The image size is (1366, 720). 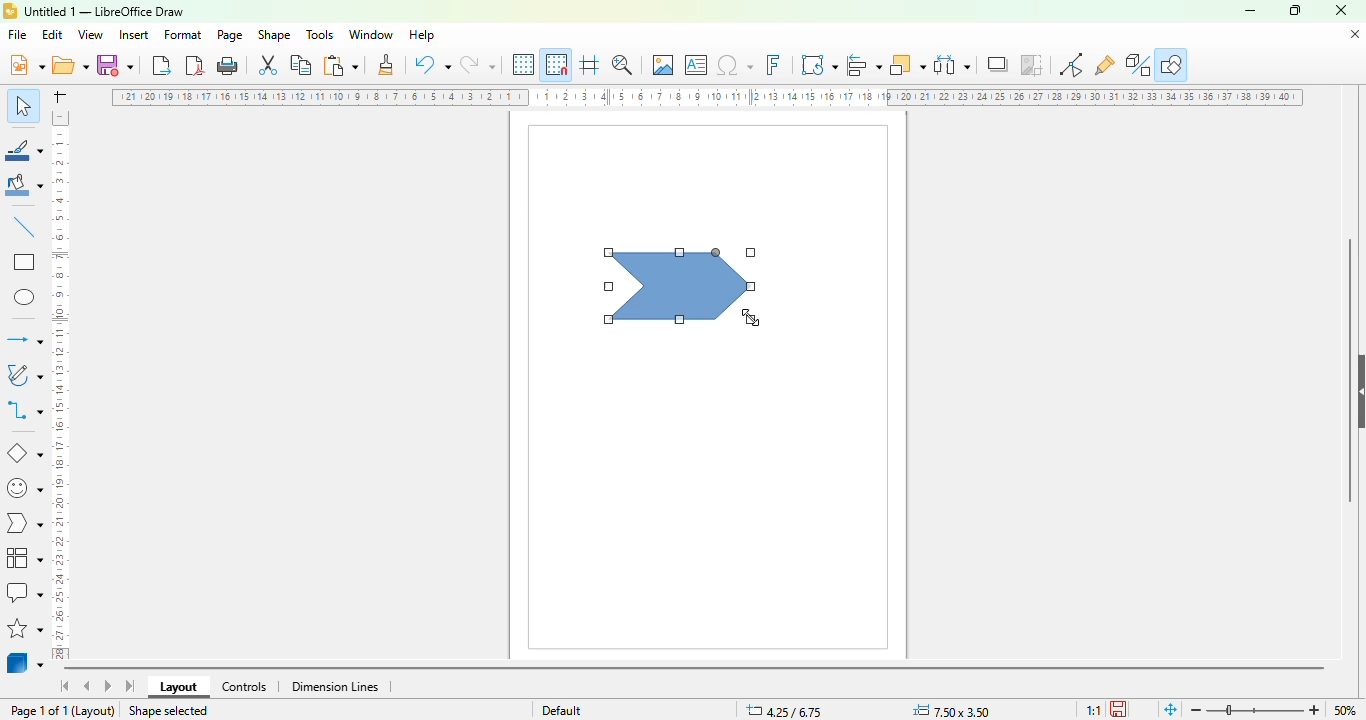 What do you see at coordinates (115, 65) in the screenshot?
I see `save` at bounding box center [115, 65].